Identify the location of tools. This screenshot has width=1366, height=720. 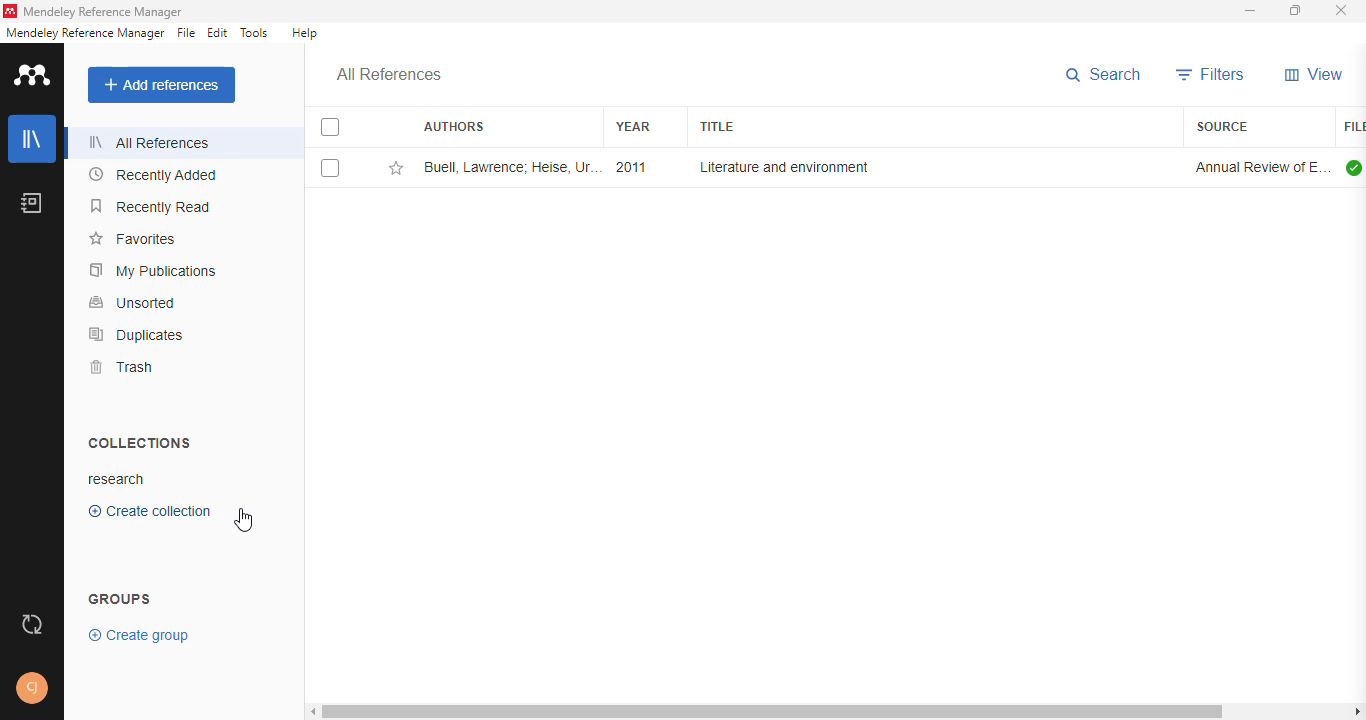
(255, 33).